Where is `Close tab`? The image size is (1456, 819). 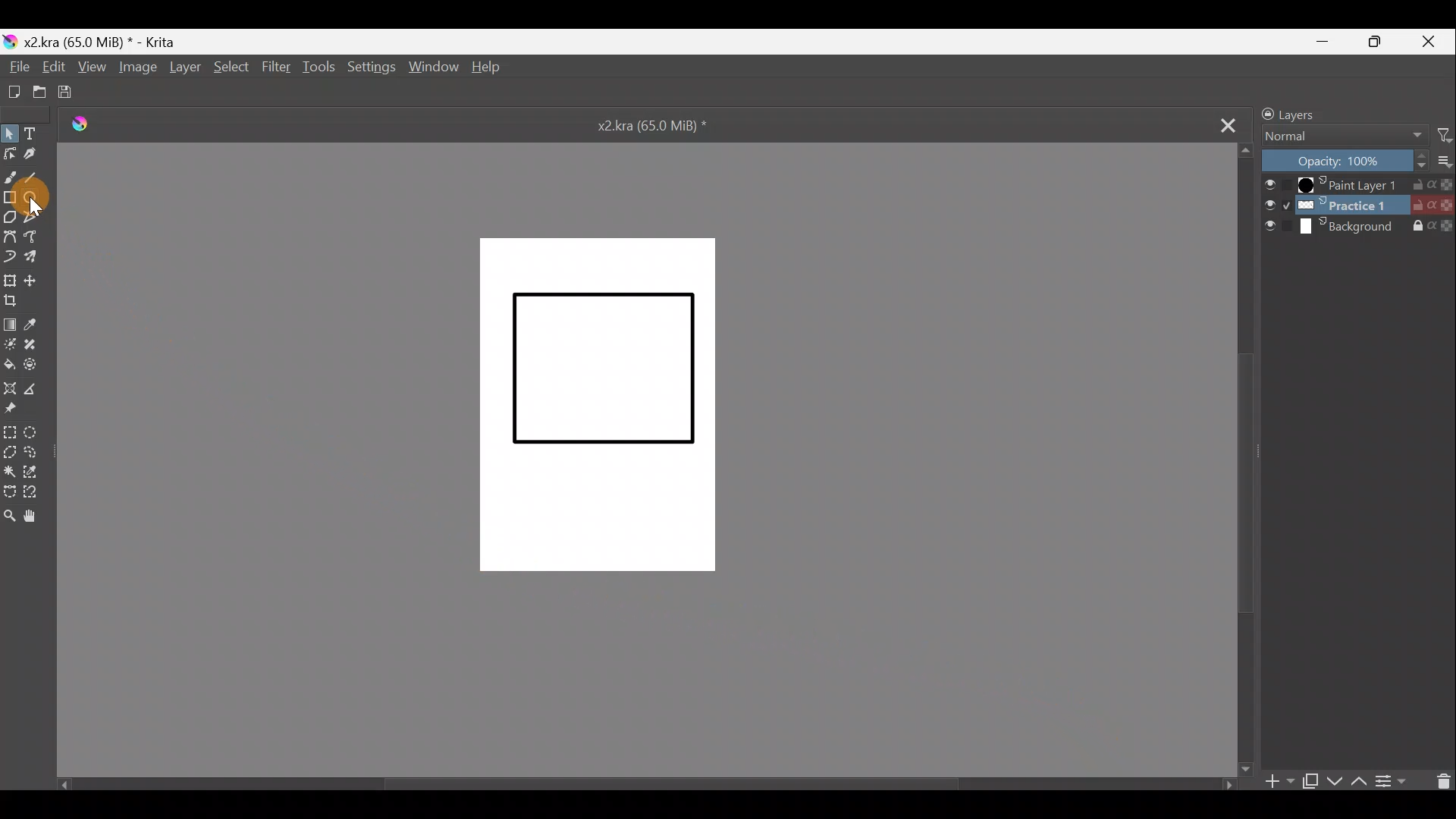
Close tab is located at coordinates (1225, 124).